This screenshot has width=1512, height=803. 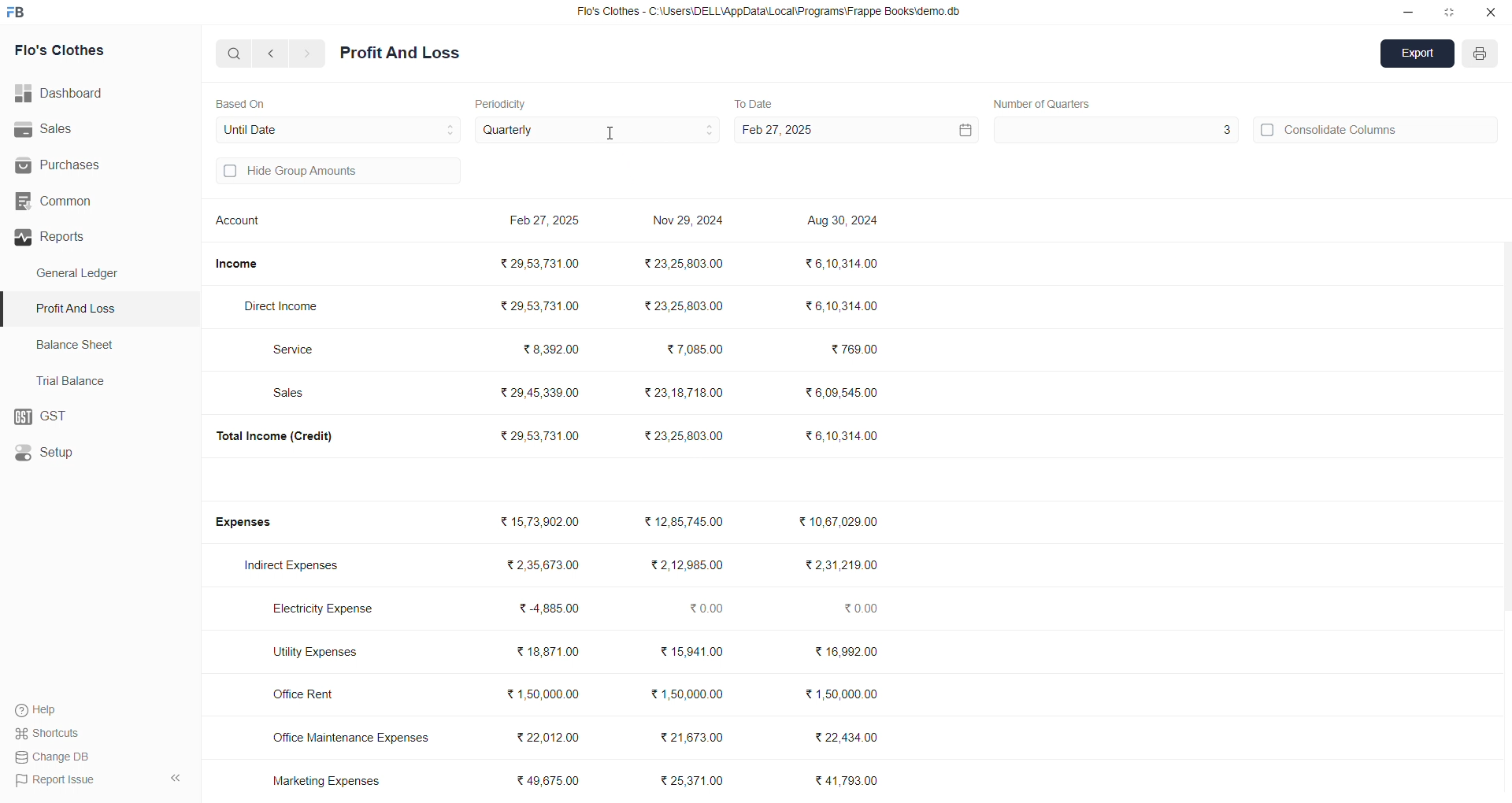 What do you see at coordinates (67, 94) in the screenshot?
I see `Dashboard` at bounding box center [67, 94].